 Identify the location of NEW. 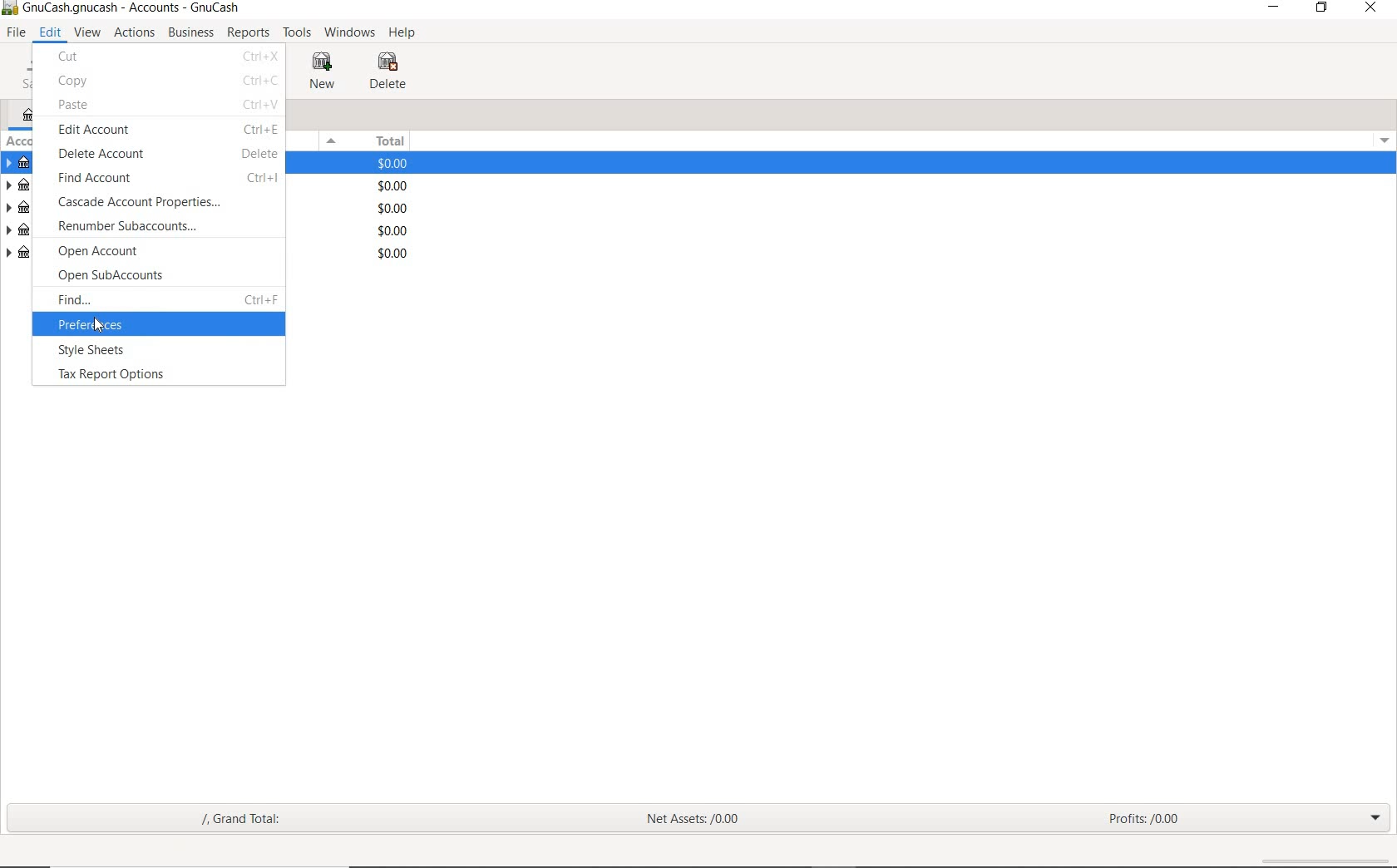
(323, 72).